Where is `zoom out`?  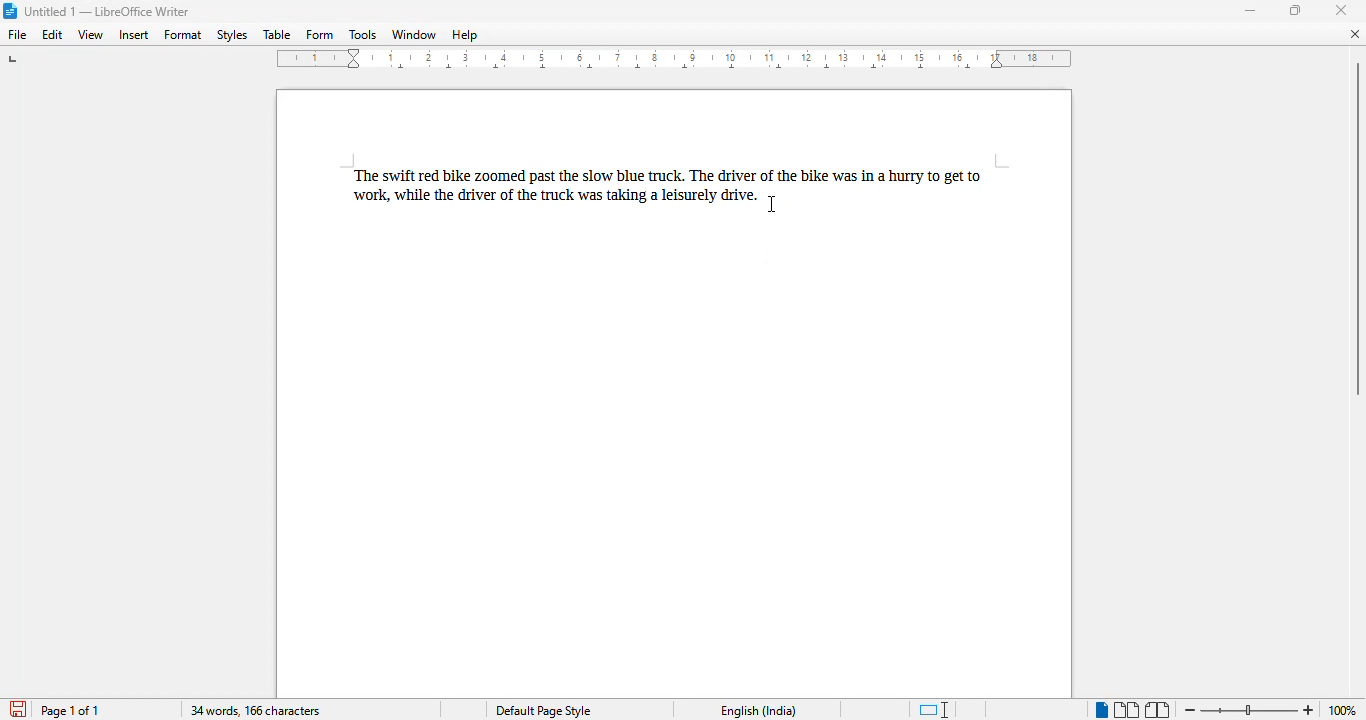 zoom out is located at coordinates (1191, 711).